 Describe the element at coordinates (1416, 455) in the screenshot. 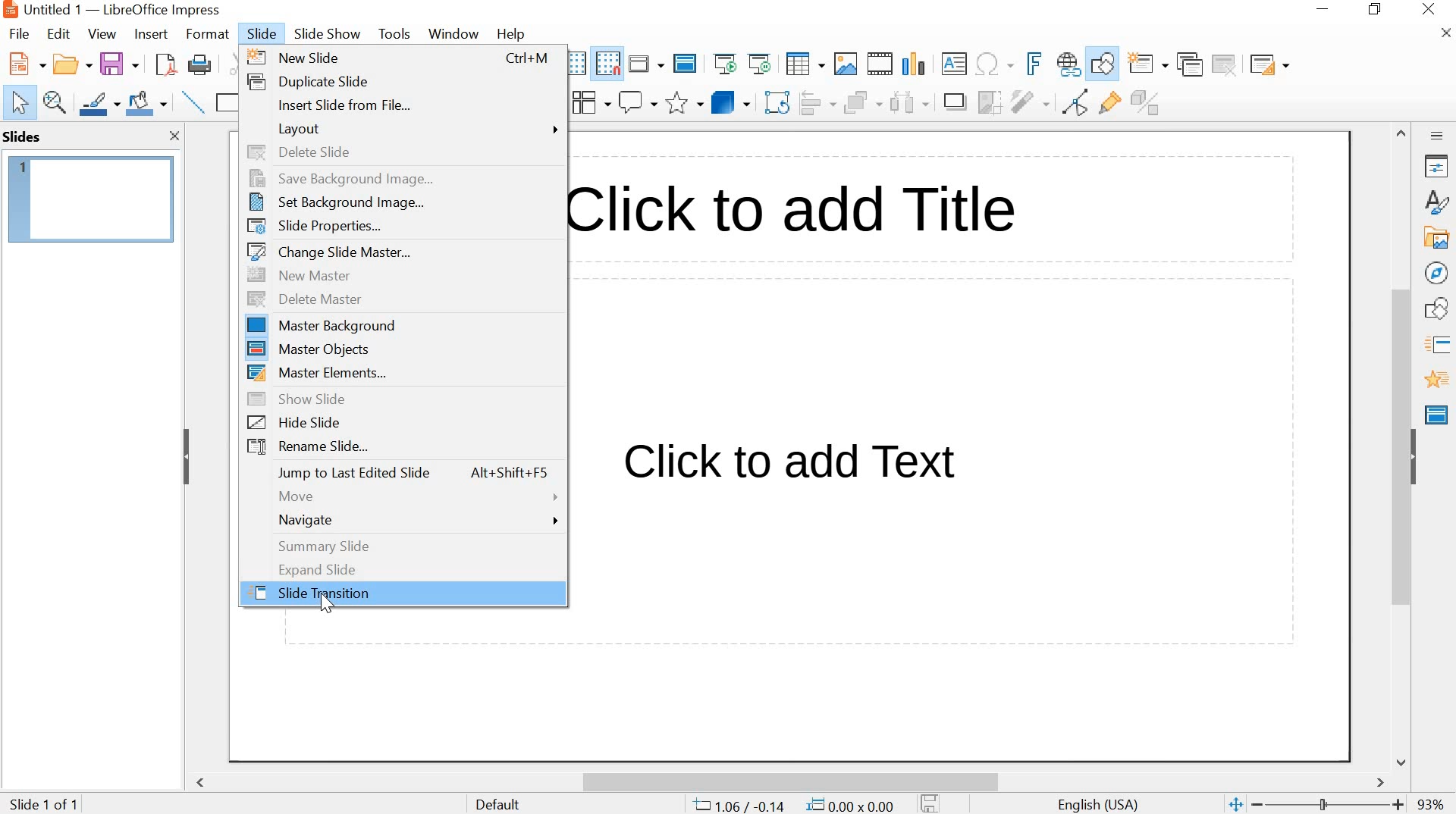

I see `HIDE` at that location.